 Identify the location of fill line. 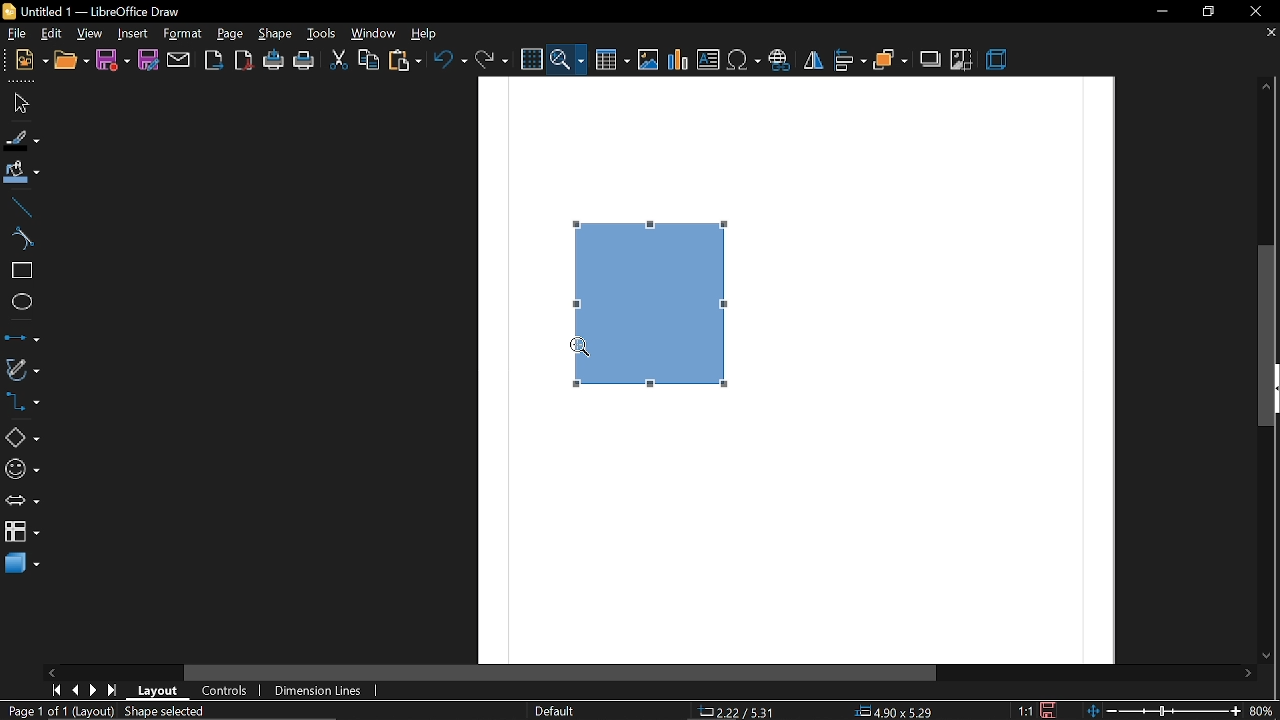
(22, 140).